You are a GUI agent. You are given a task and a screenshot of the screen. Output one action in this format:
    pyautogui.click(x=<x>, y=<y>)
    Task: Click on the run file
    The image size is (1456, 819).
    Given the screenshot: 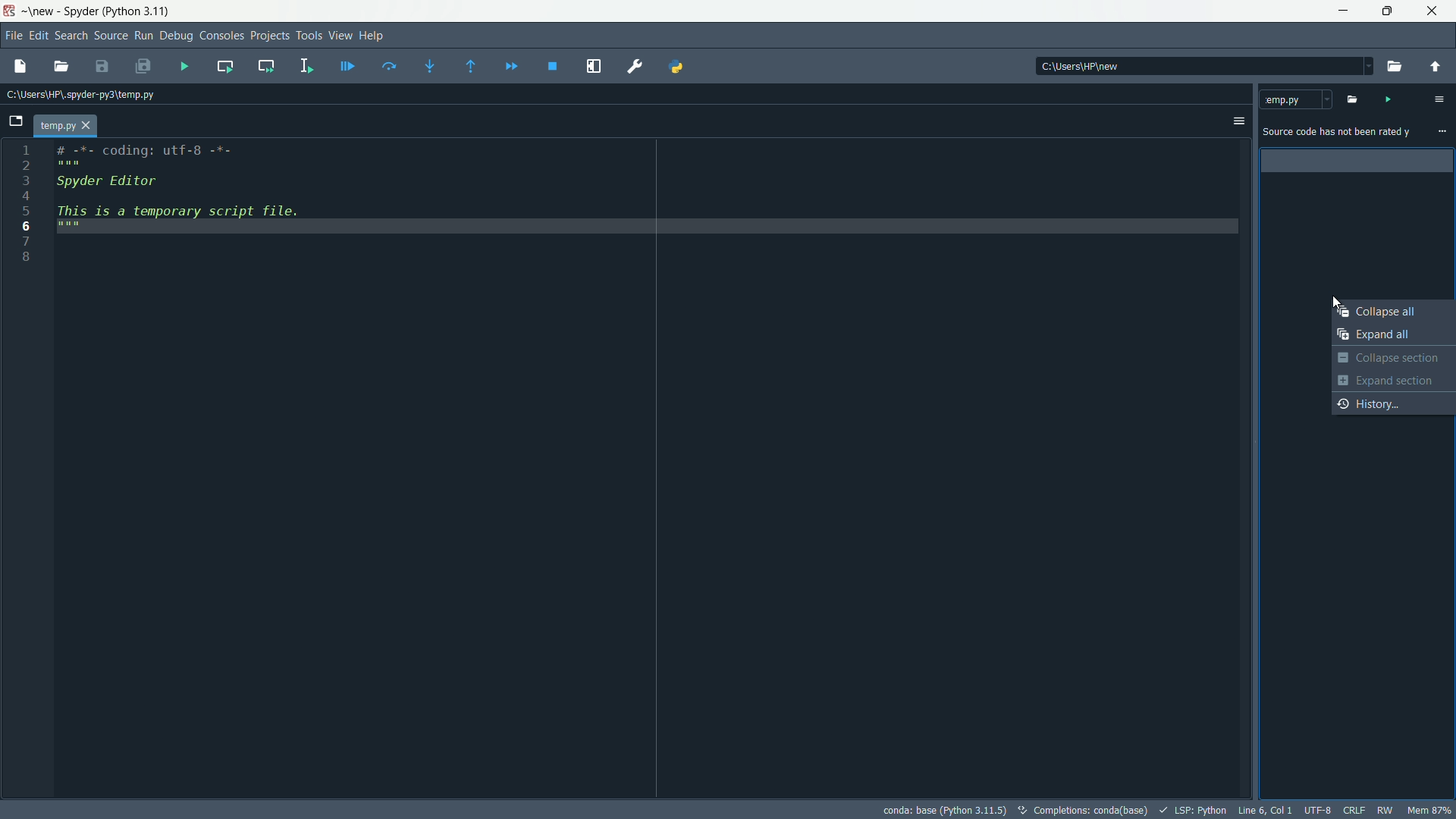 What is the action you would take?
    pyautogui.click(x=1387, y=99)
    